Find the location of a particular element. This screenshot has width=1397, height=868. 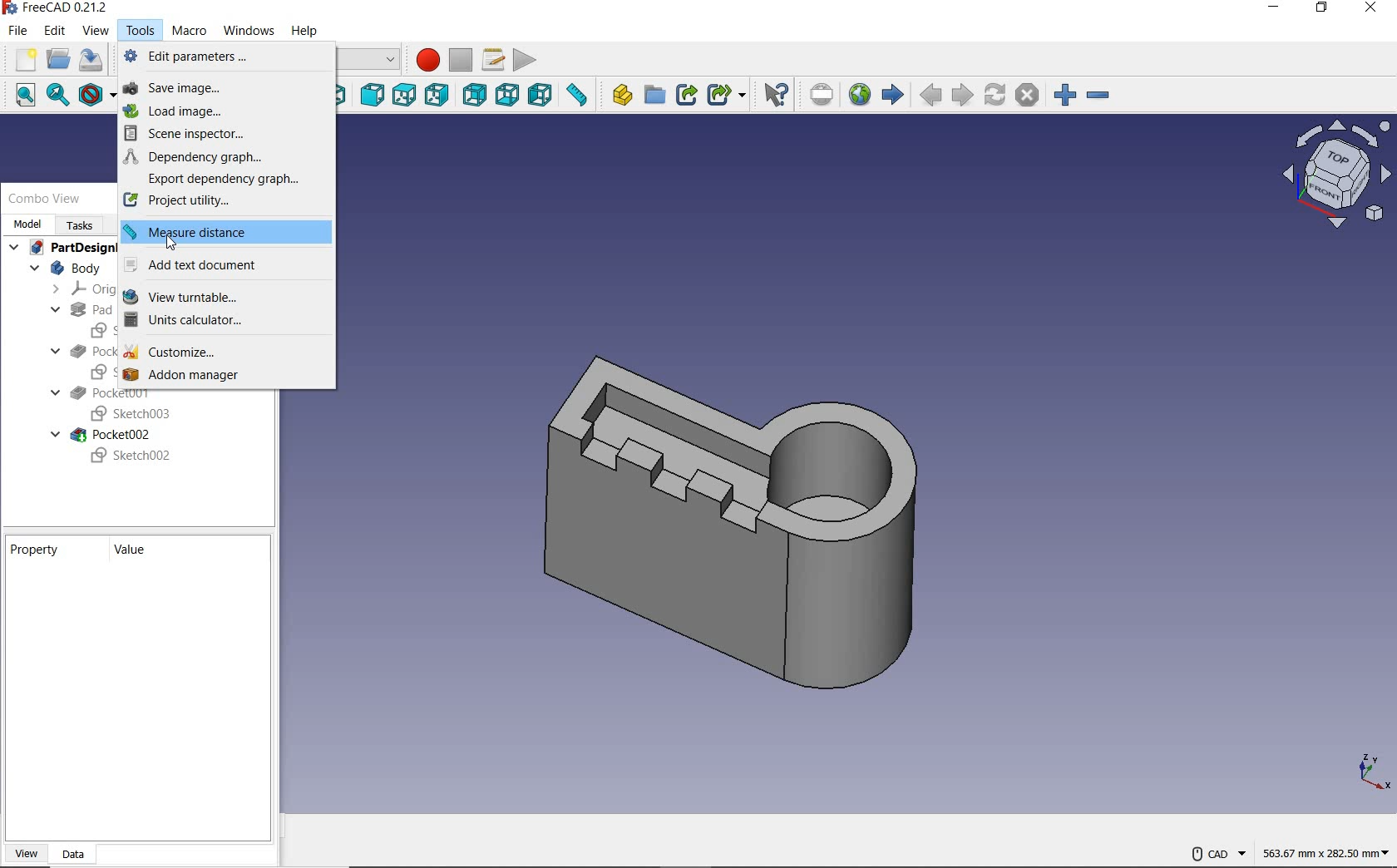

CAD navigation style is located at coordinates (1217, 854).